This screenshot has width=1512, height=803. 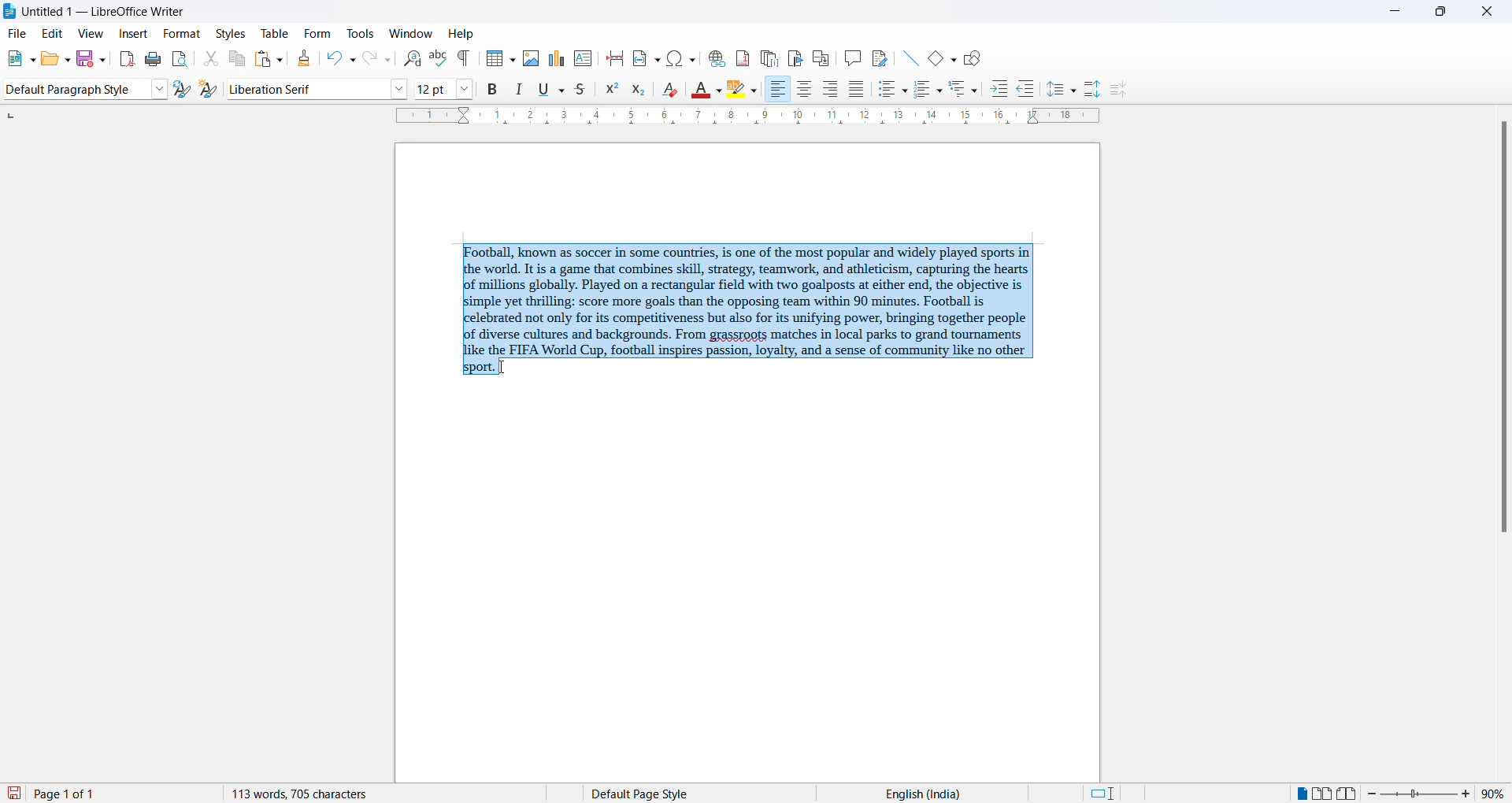 What do you see at coordinates (399, 90) in the screenshot?
I see `font options` at bounding box center [399, 90].